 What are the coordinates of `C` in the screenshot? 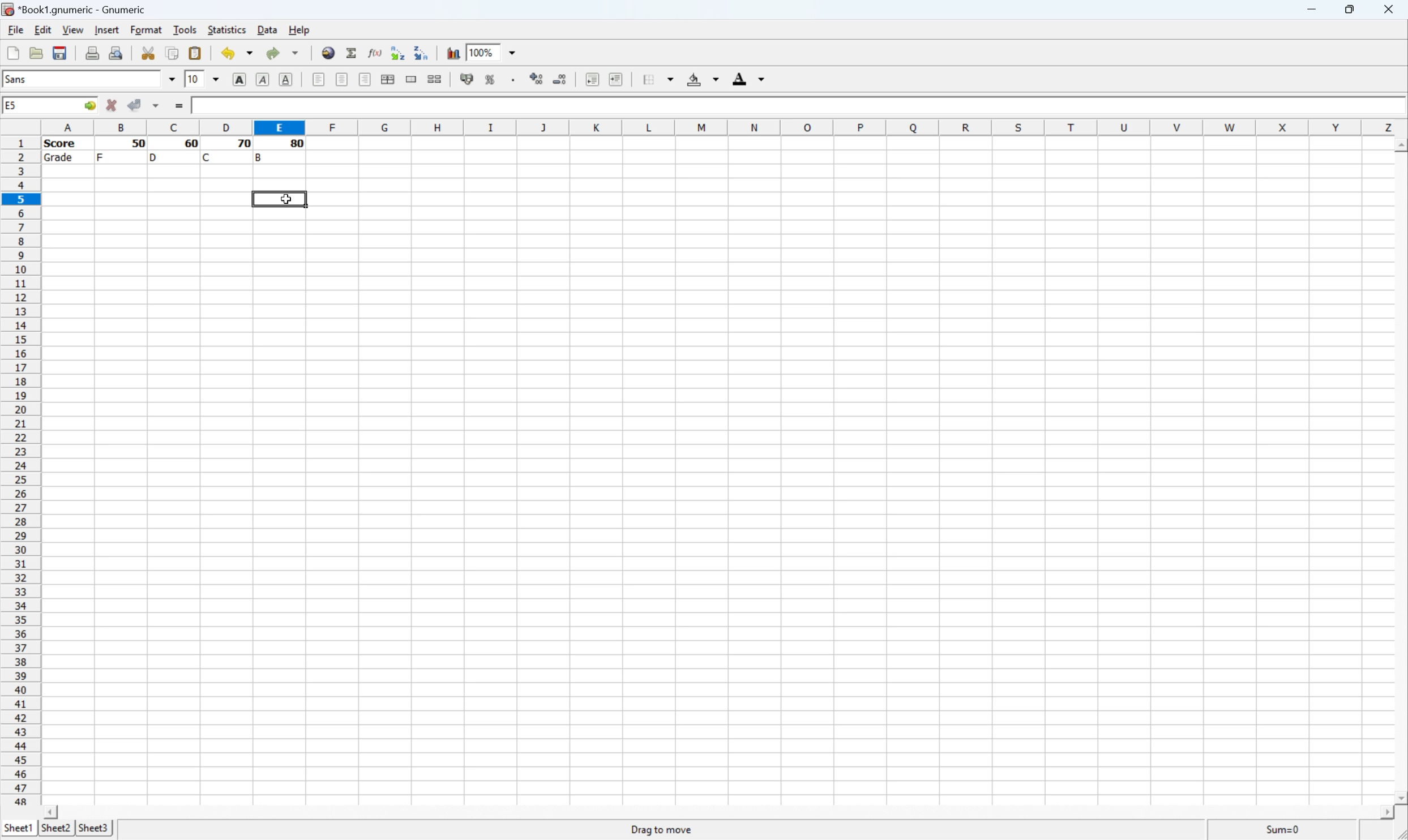 It's located at (208, 157).